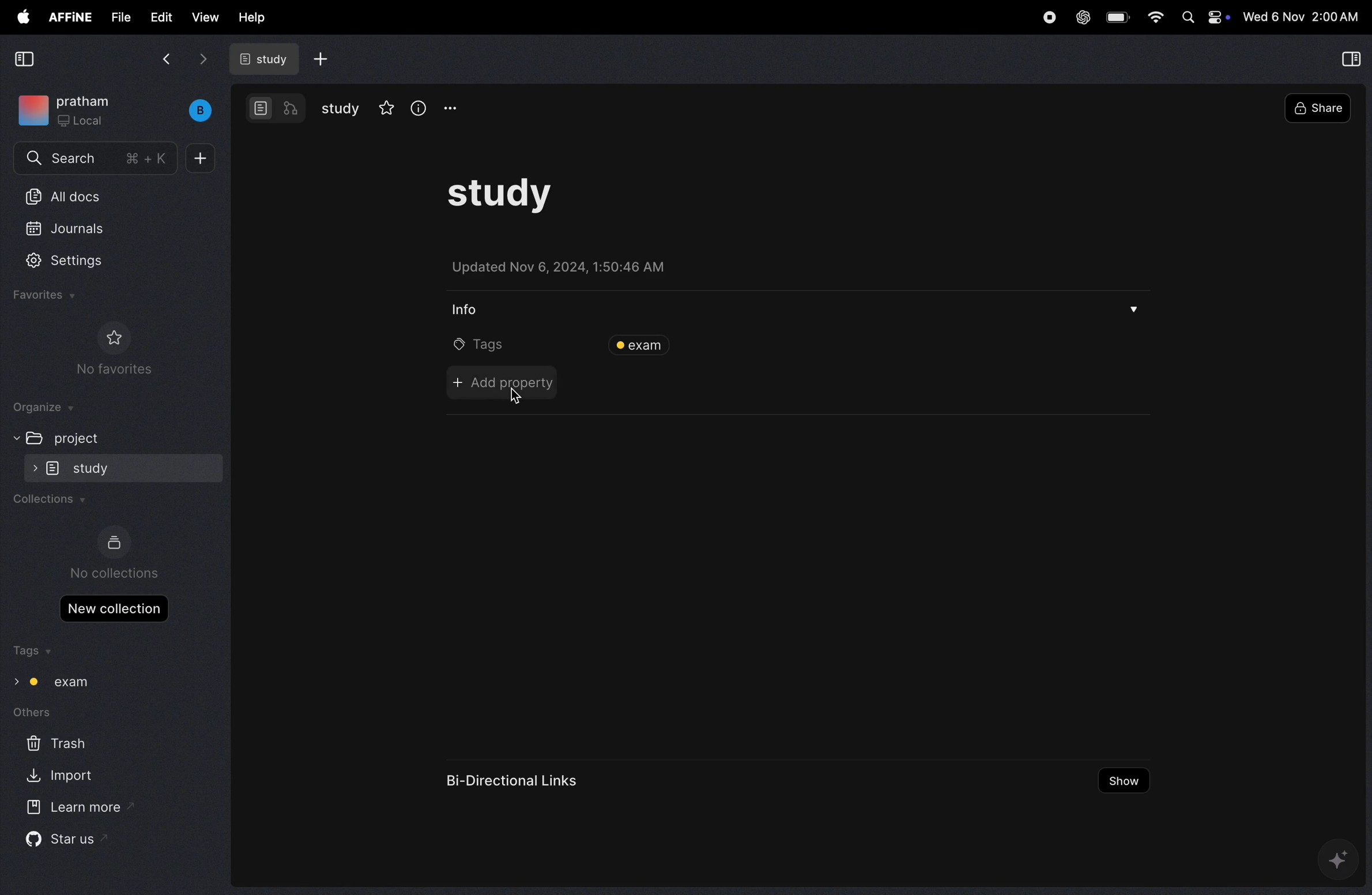  What do you see at coordinates (1155, 18) in the screenshot?
I see `wifi` at bounding box center [1155, 18].